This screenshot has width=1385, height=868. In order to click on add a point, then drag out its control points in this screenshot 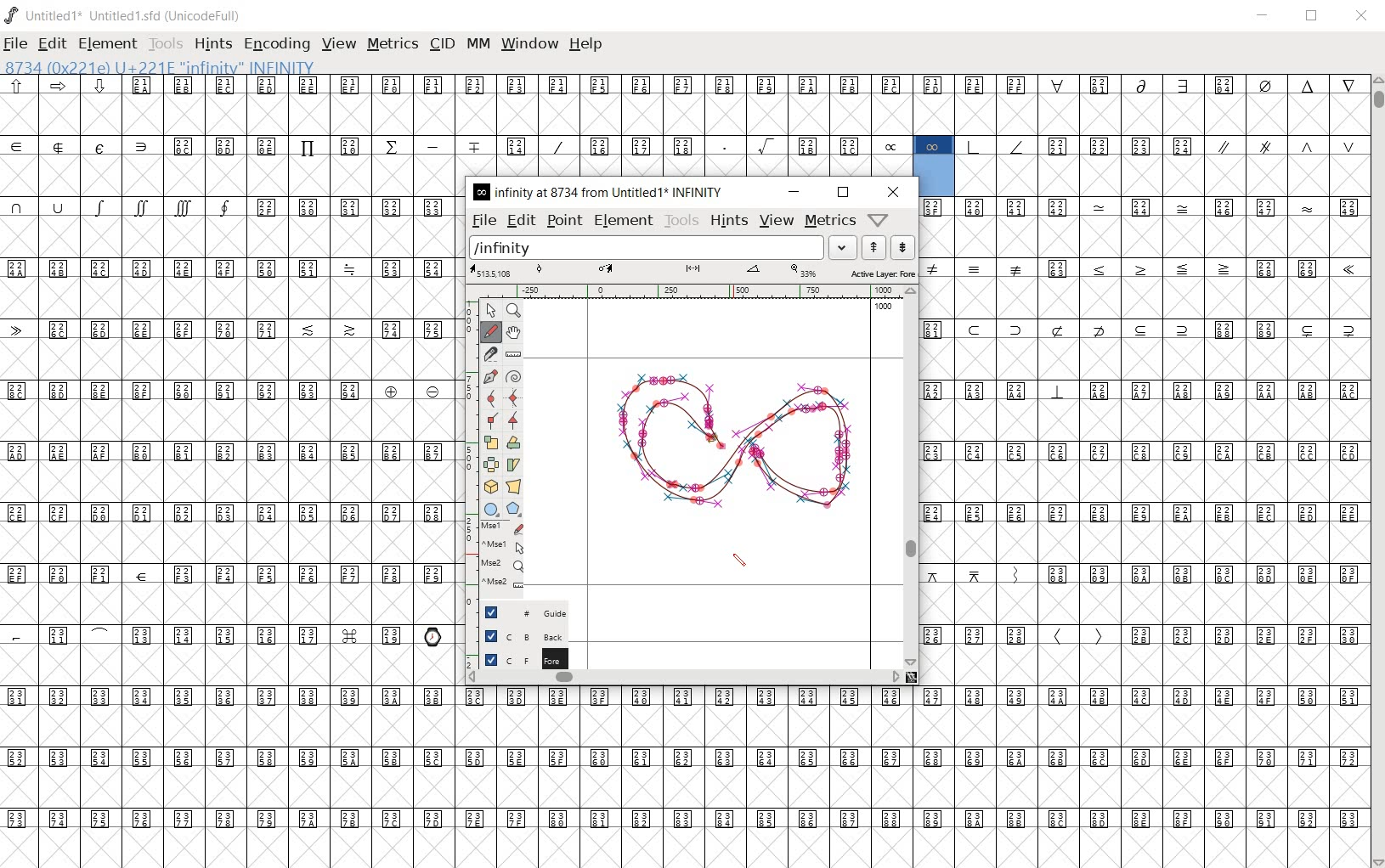, I will do `click(490, 376)`.